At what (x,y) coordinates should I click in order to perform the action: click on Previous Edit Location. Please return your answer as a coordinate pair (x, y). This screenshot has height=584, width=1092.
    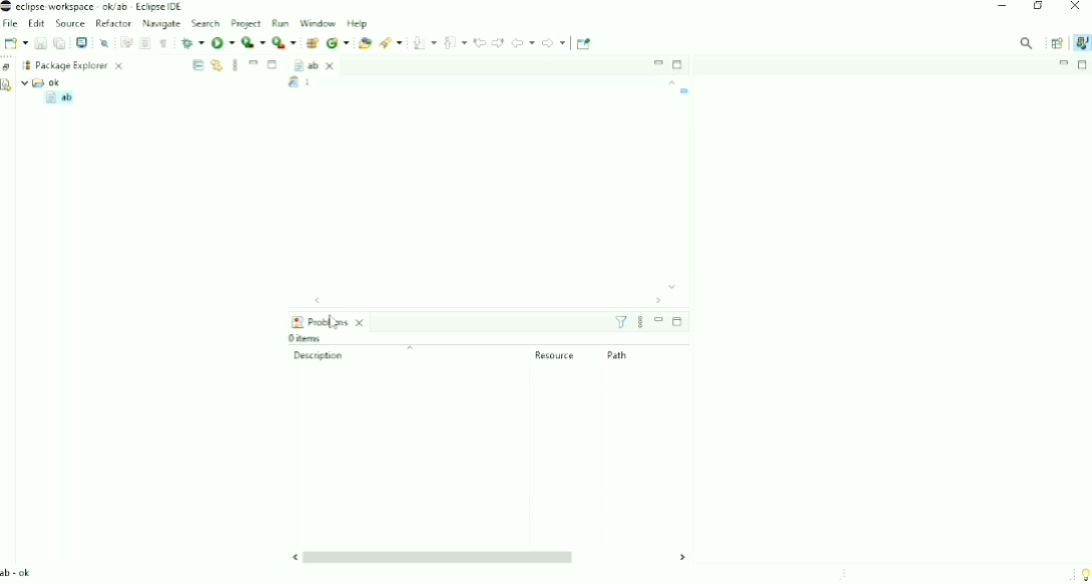
    Looking at the image, I should click on (480, 42).